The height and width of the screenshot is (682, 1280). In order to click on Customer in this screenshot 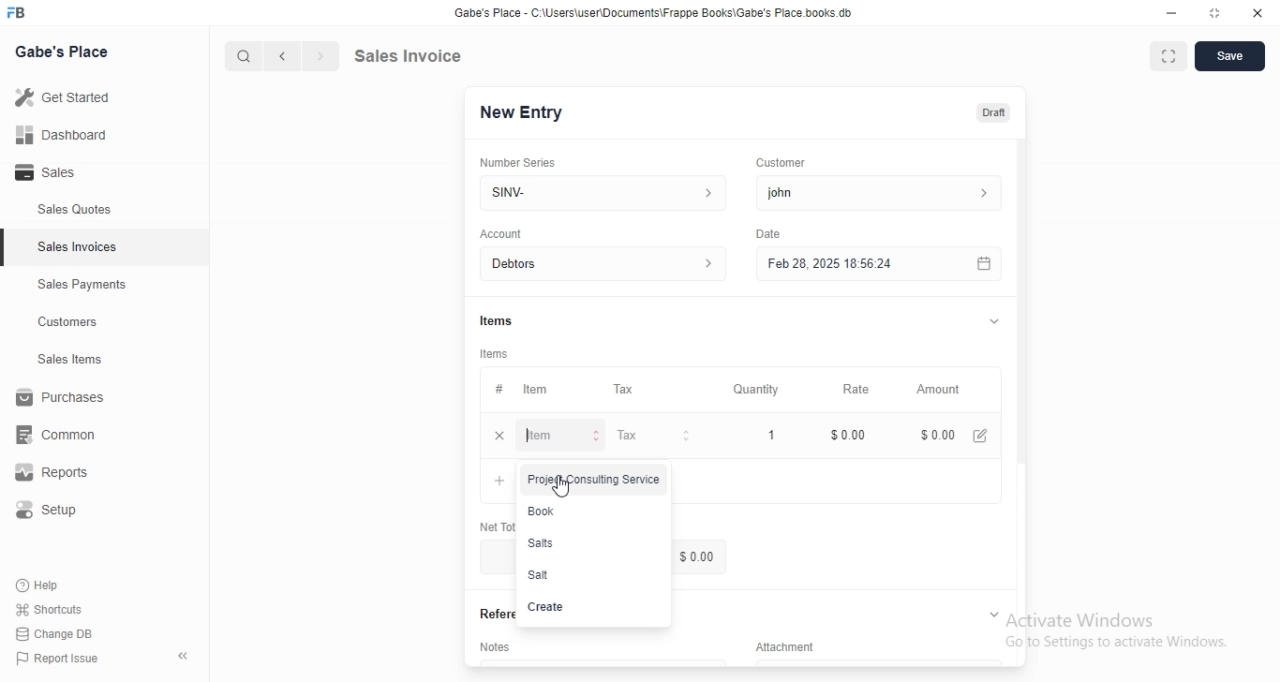, I will do `click(789, 161)`.